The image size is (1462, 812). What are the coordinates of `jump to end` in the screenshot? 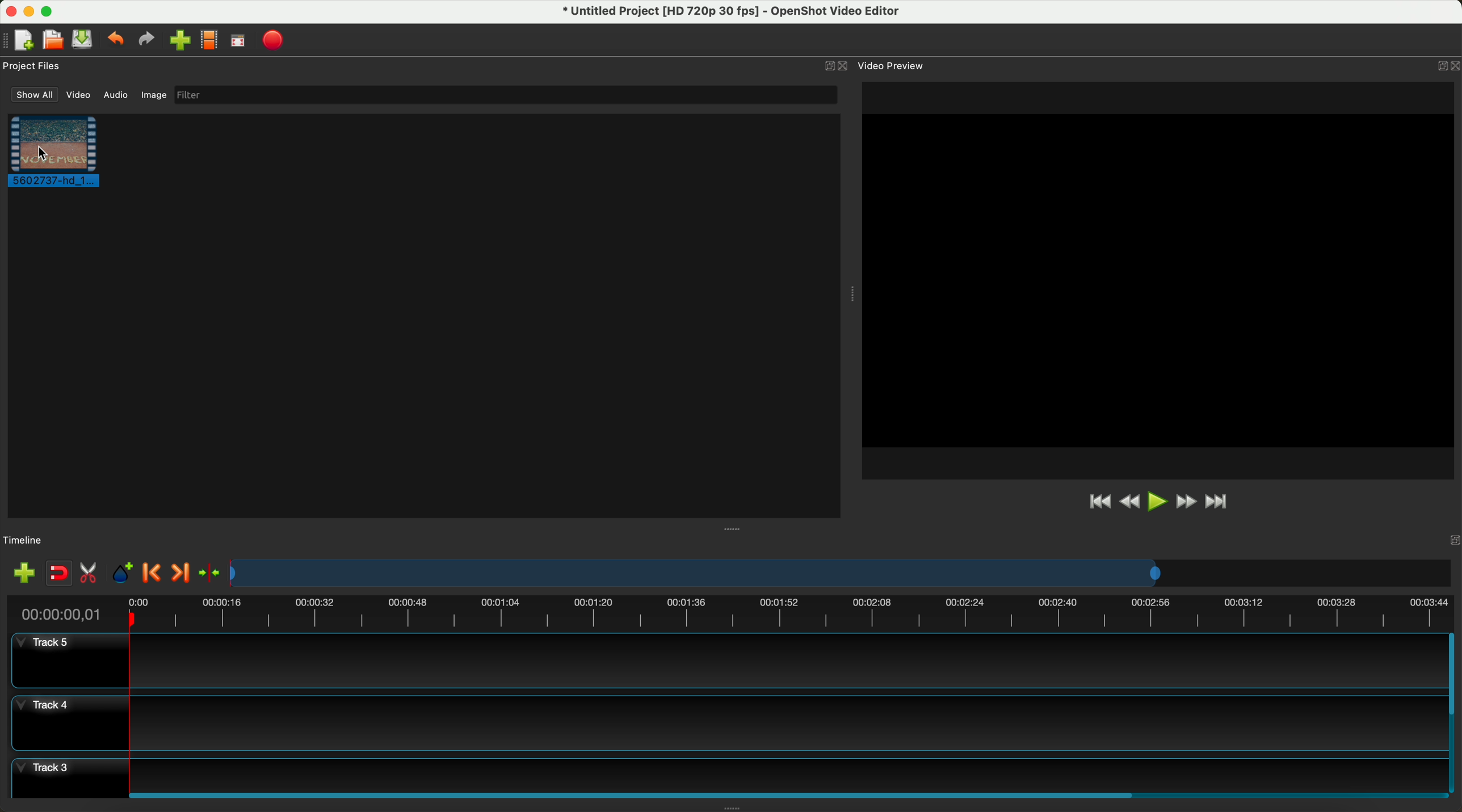 It's located at (1224, 503).